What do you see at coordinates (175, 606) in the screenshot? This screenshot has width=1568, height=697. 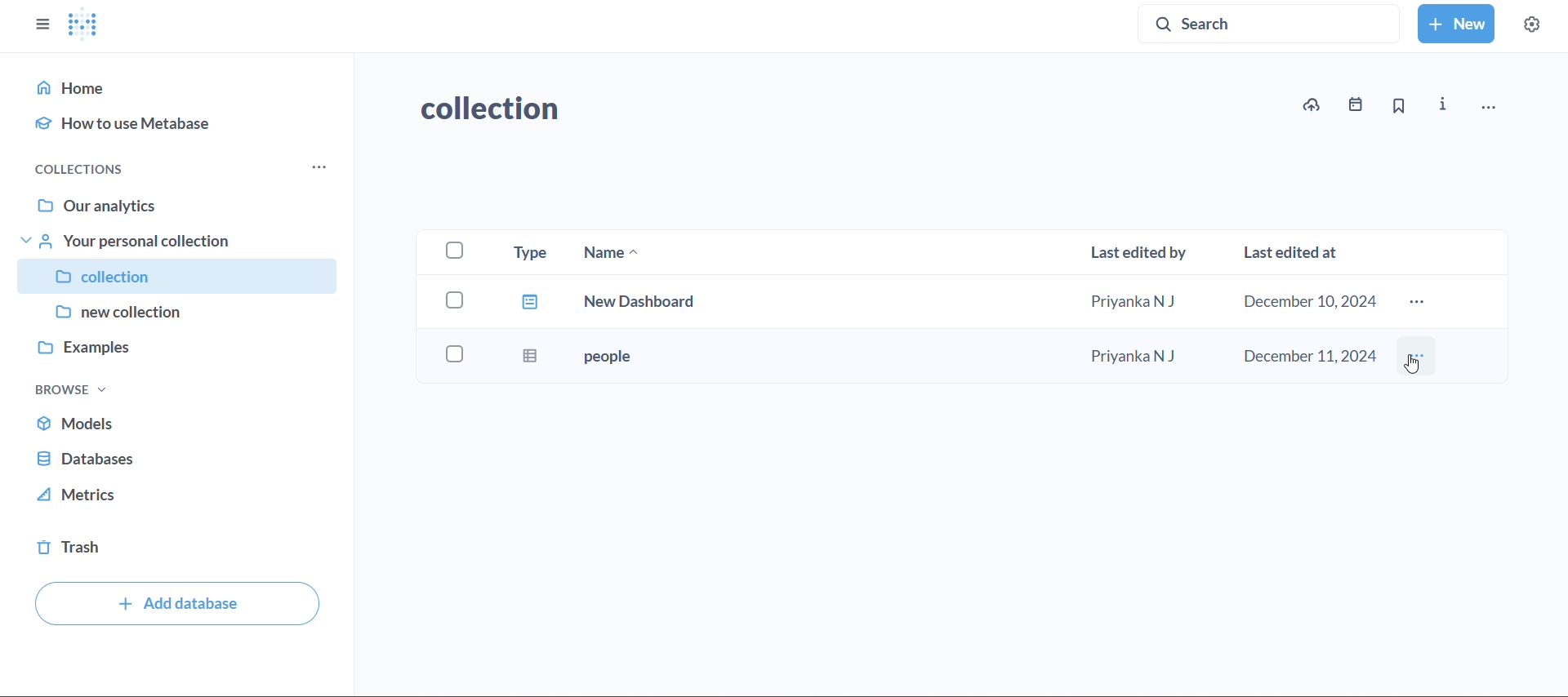 I see `add databse` at bounding box center [175, 606].